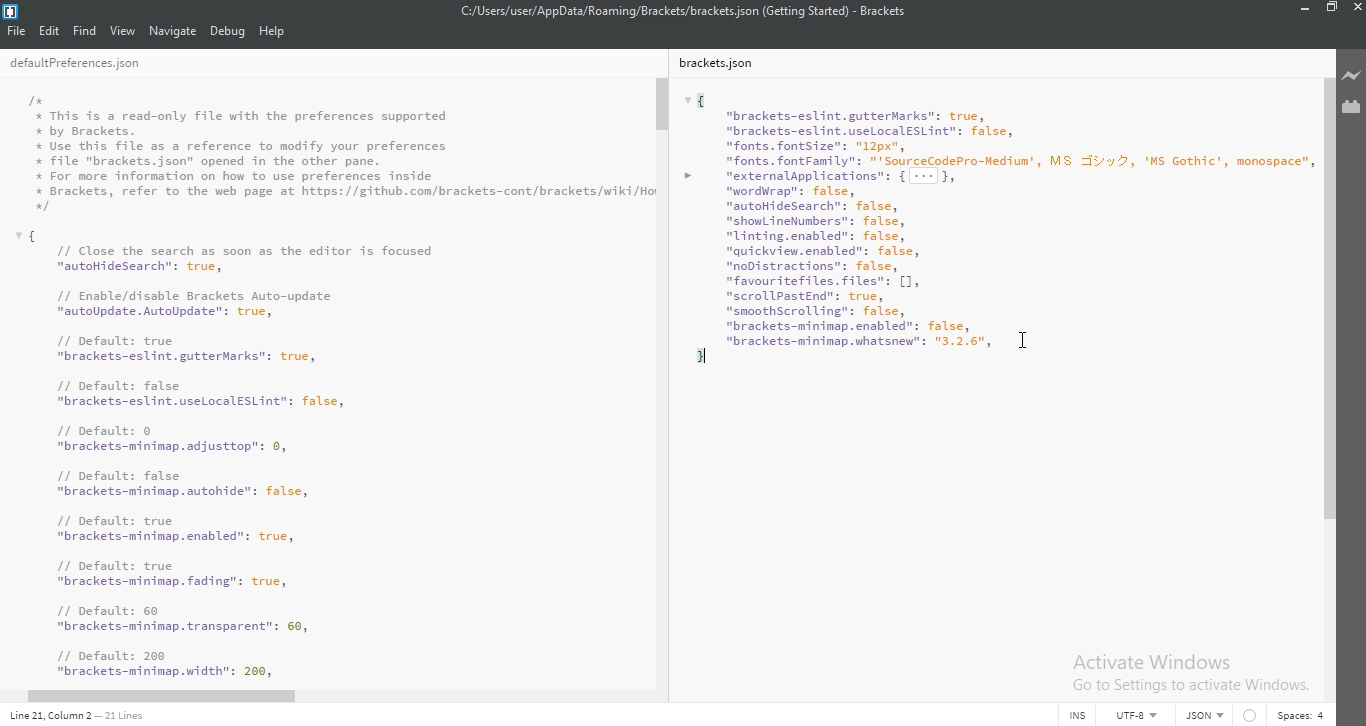 The image size is (1366, 726). I want to click on File, so click(18, 30).